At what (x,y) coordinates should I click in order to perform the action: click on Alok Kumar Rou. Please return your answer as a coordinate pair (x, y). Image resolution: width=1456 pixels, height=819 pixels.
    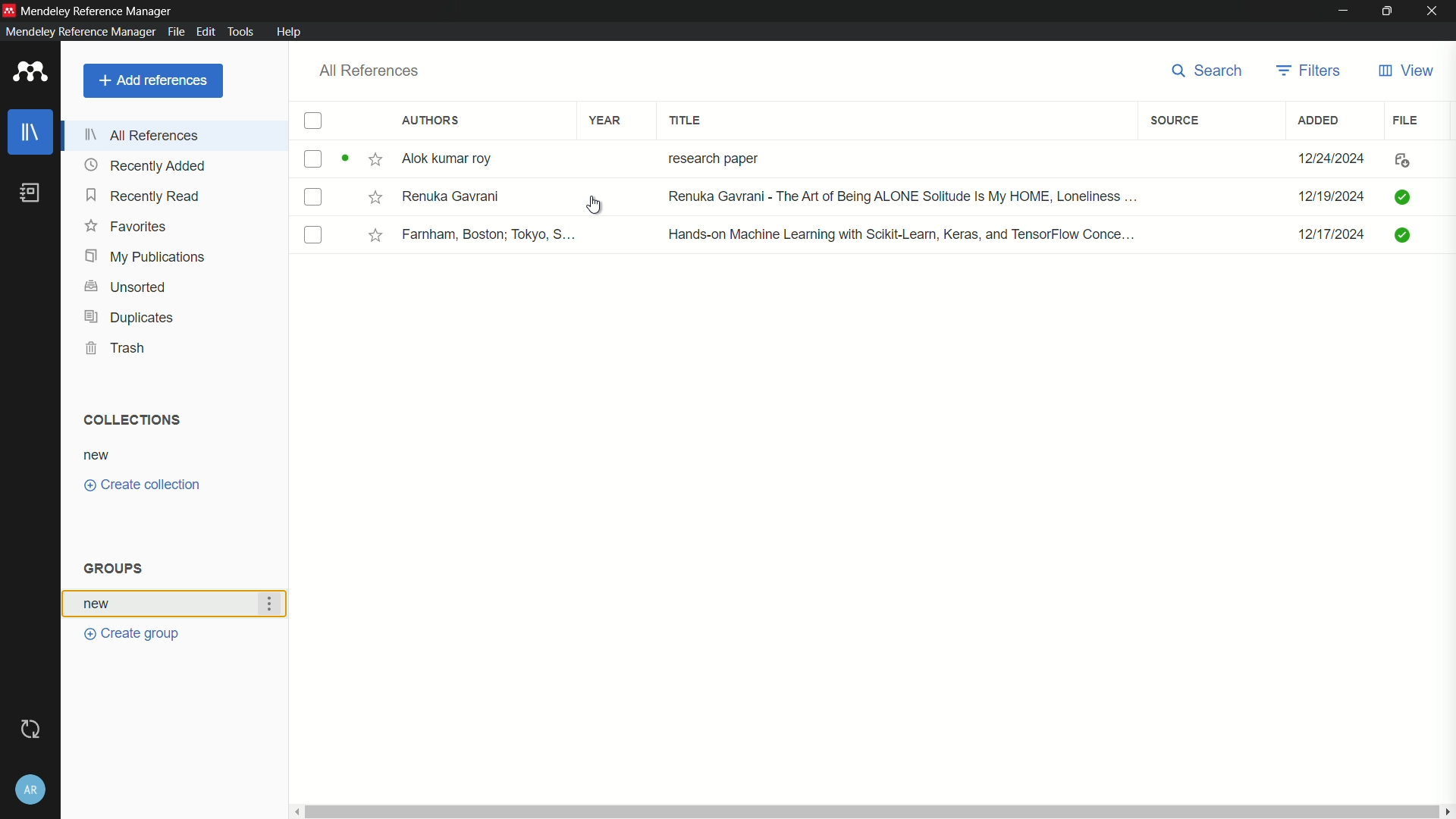
    Looking at the image, I should click on (452, 160).